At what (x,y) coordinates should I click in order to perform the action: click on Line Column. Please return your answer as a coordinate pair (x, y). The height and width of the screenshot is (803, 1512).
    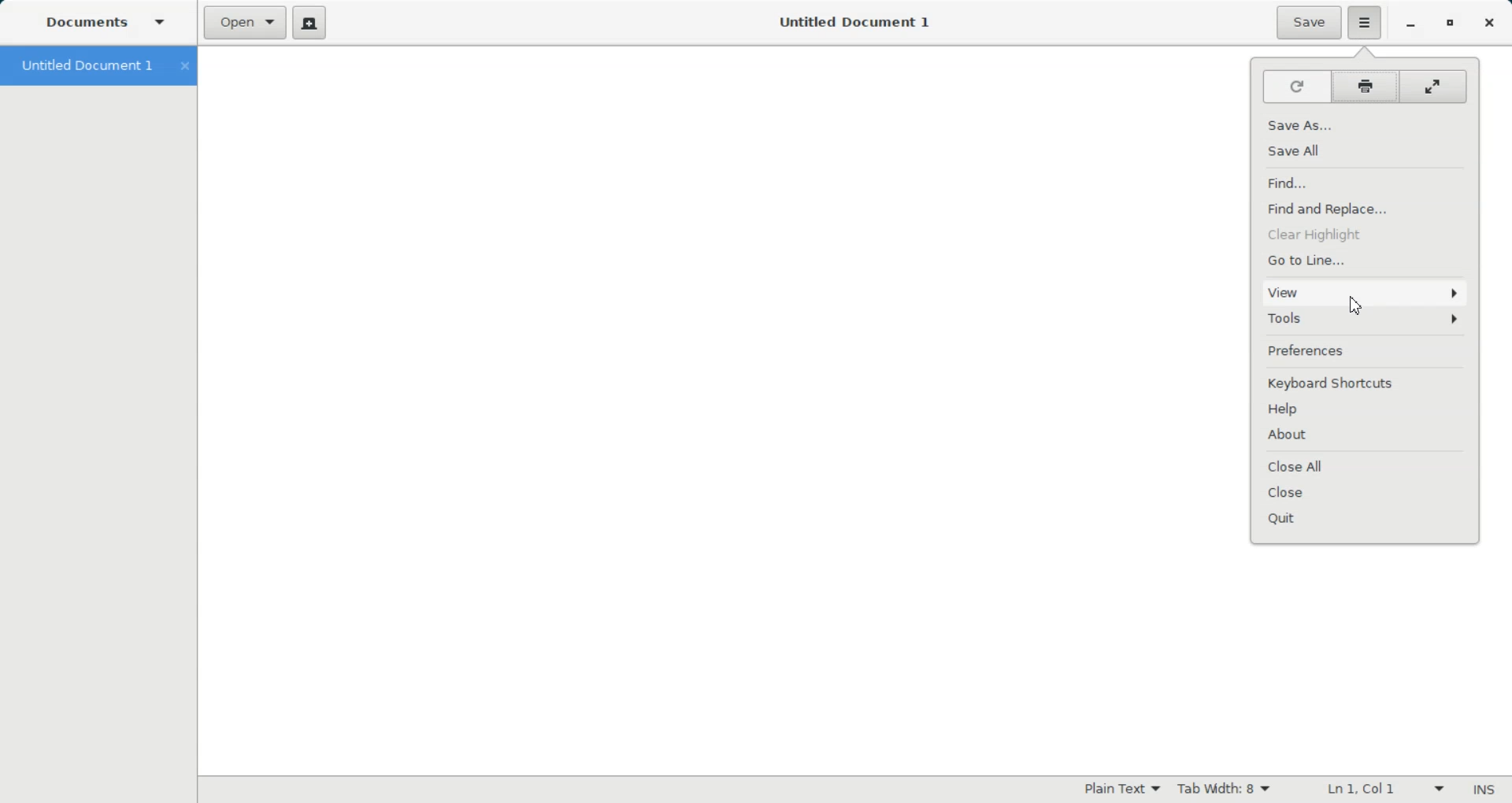
    Looking at the image, I should click on (1375, 788).